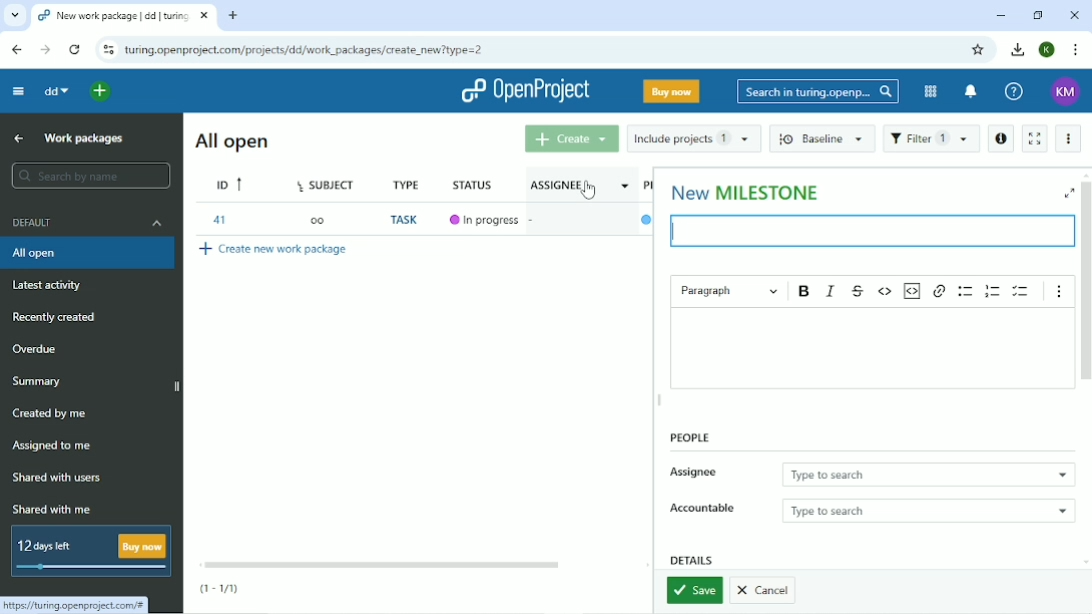 This screenshot has width=1092, height=614. What do you see at coordinates (871, 349) in the screenshot?
I see `Empty text box` at bounding box center [871, 349].